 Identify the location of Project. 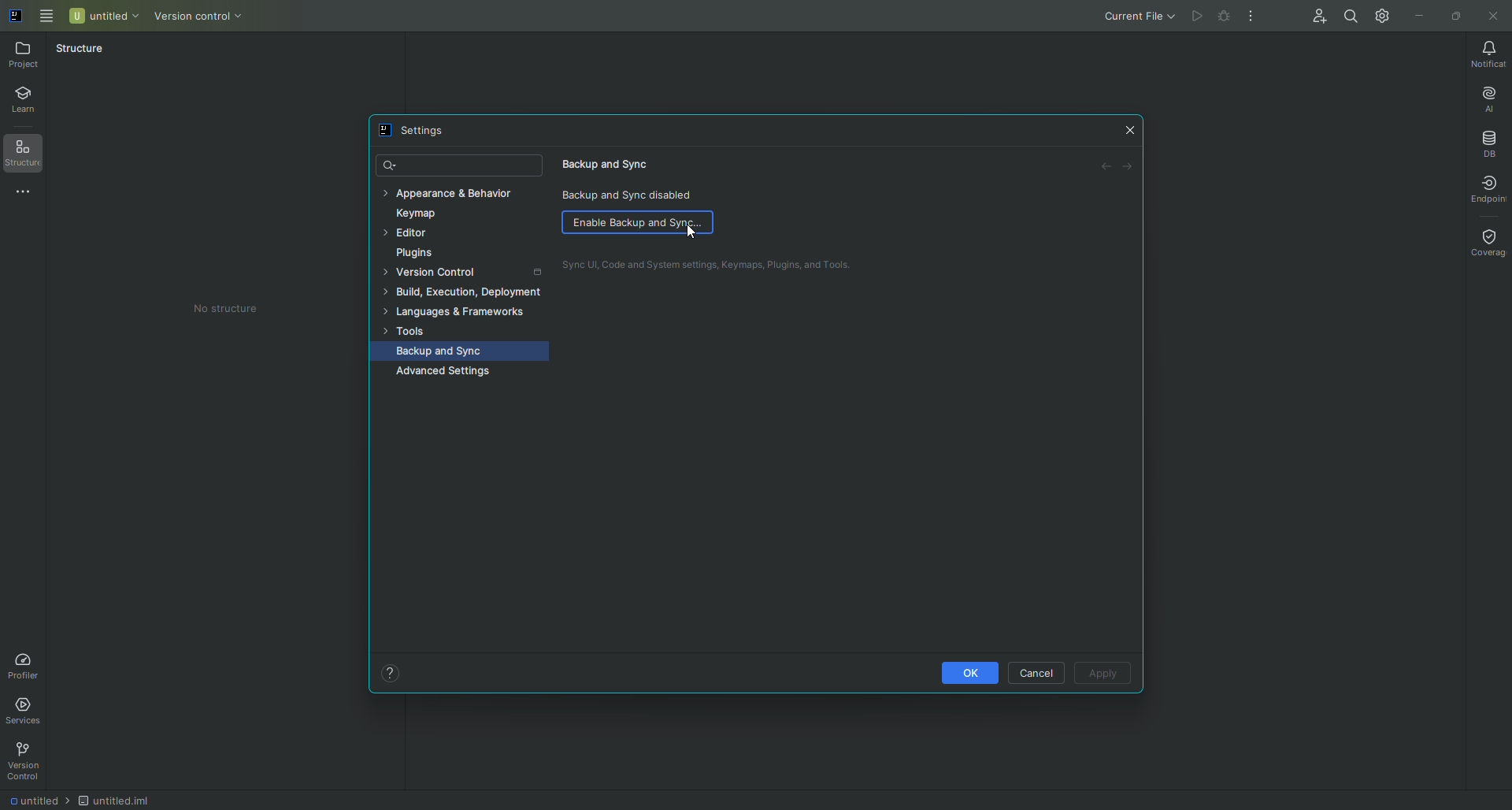
(26, 54).